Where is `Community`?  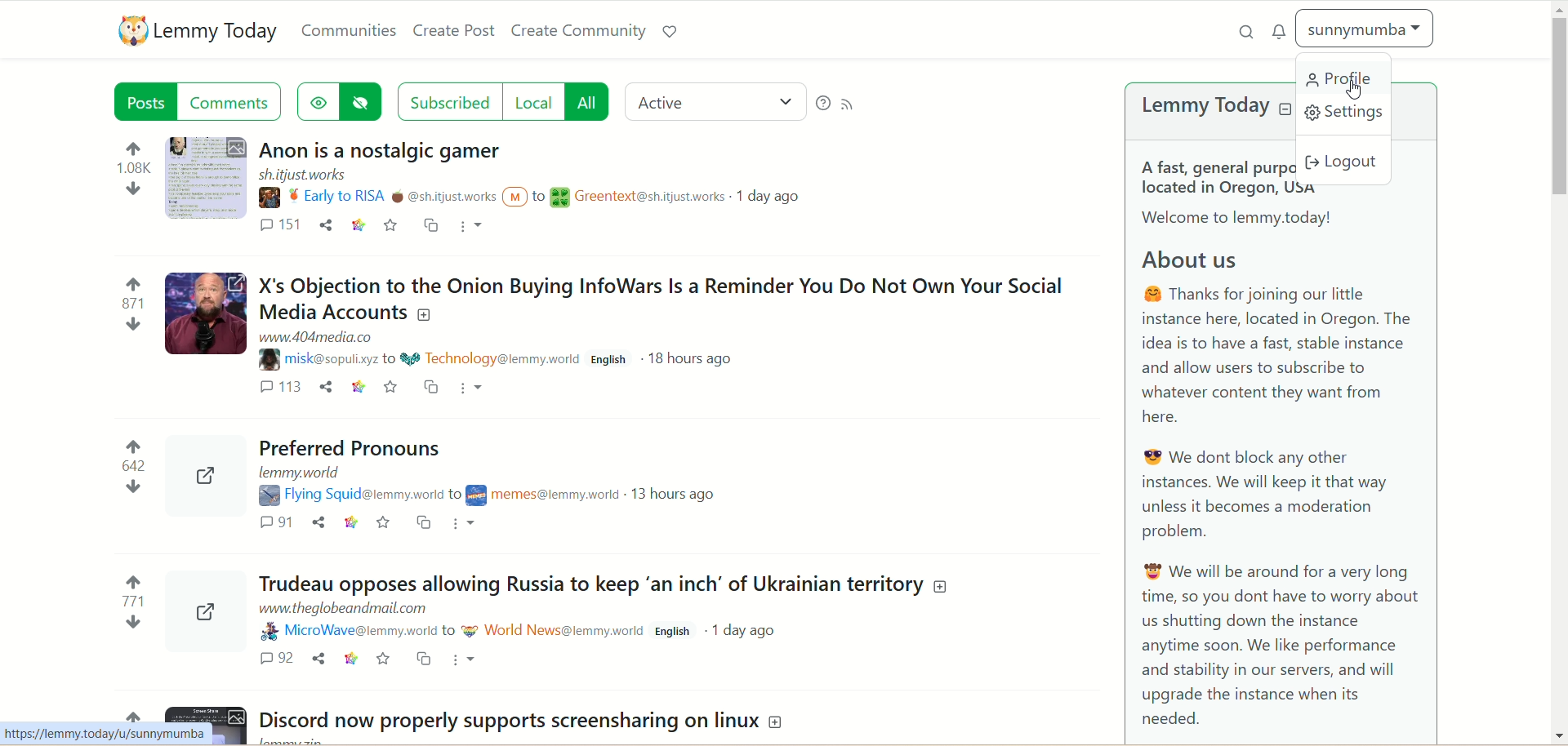 Community is located at coordinates (552, 629).